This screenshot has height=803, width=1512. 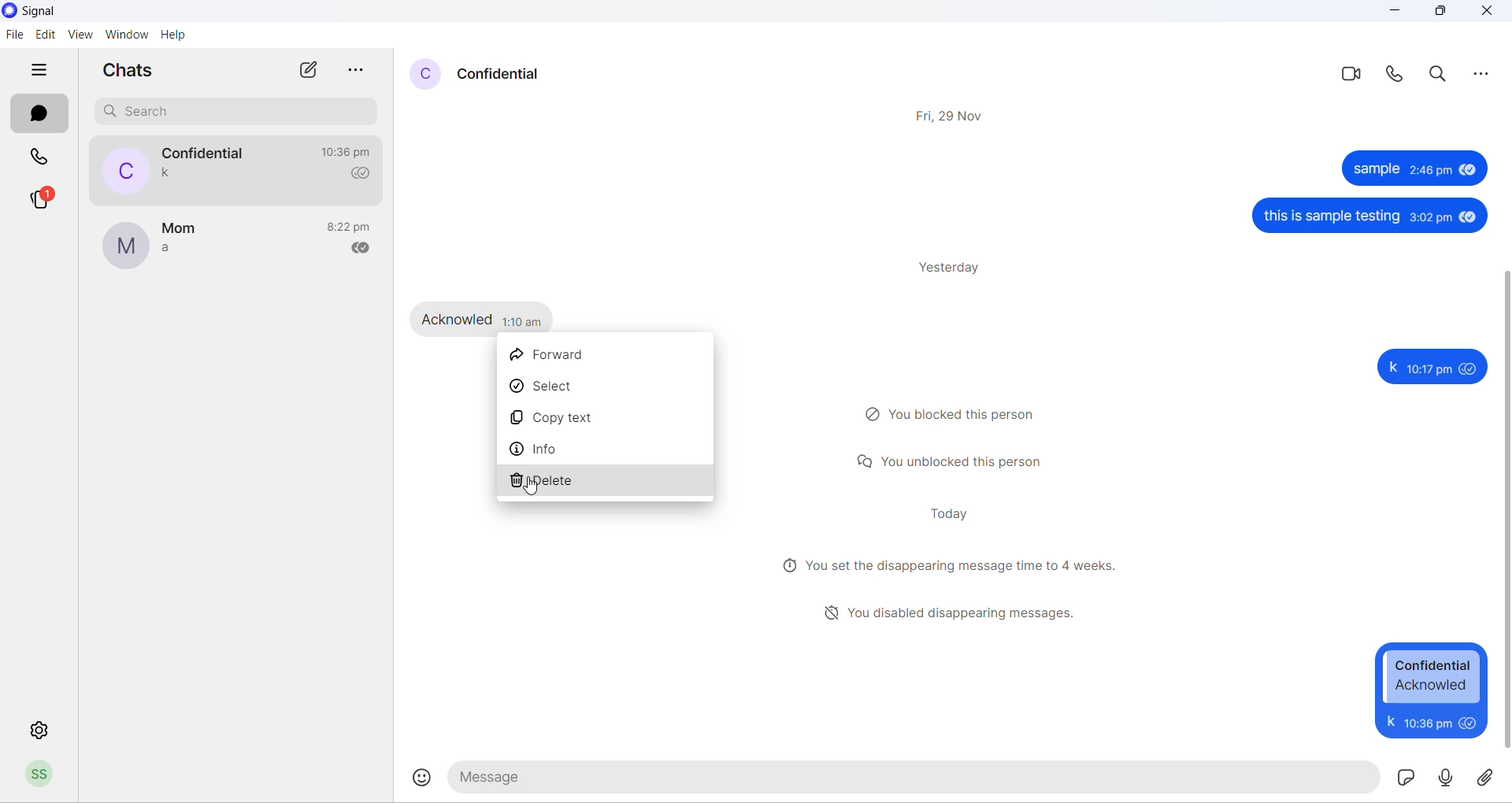 What do you see at coordinates (957, 269) in the screenshot?
I see `yesterday` at bounding box center [957, 269].